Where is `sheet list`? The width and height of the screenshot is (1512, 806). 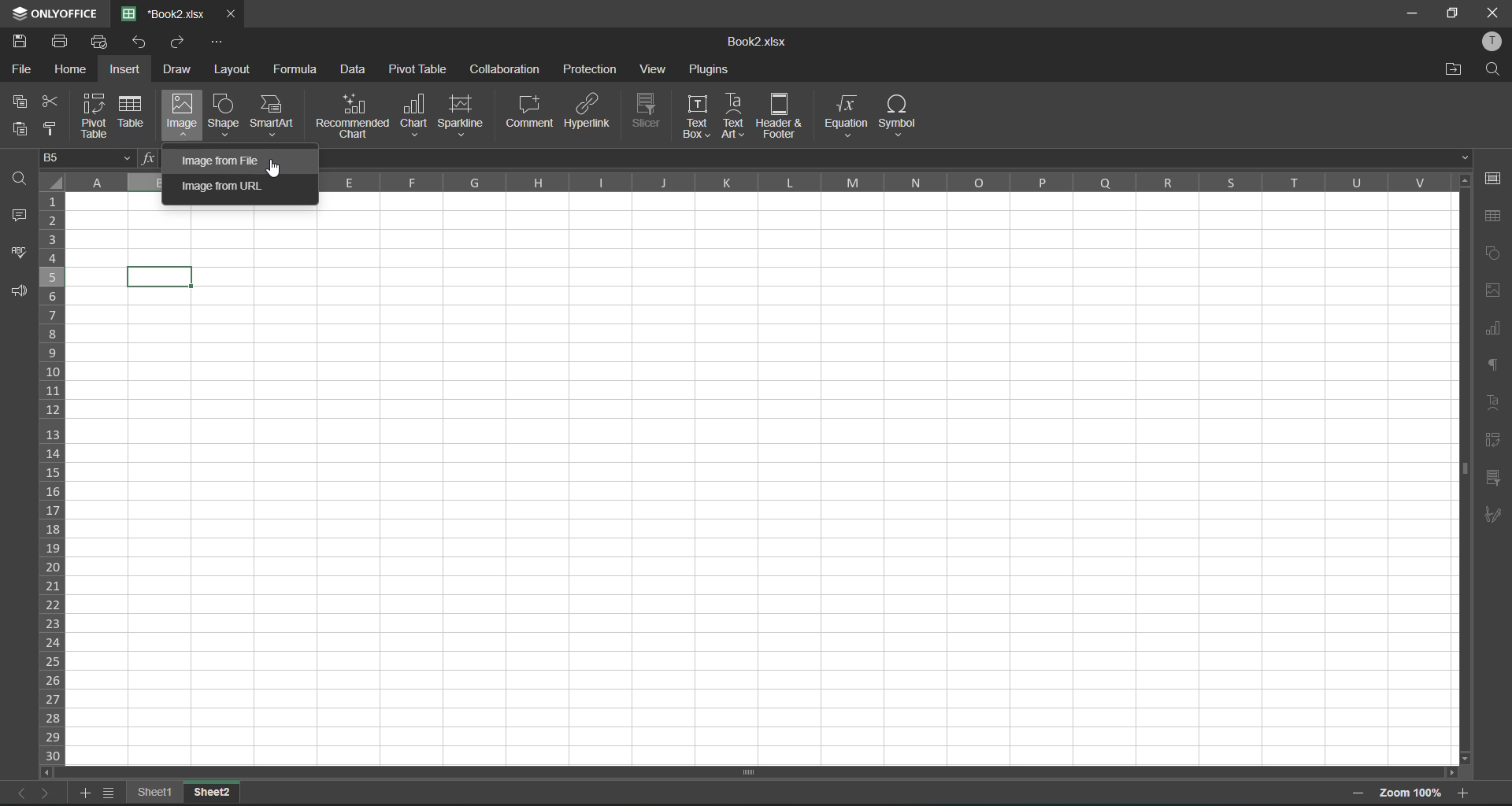 sheet list is located at coordinates (113, 793).